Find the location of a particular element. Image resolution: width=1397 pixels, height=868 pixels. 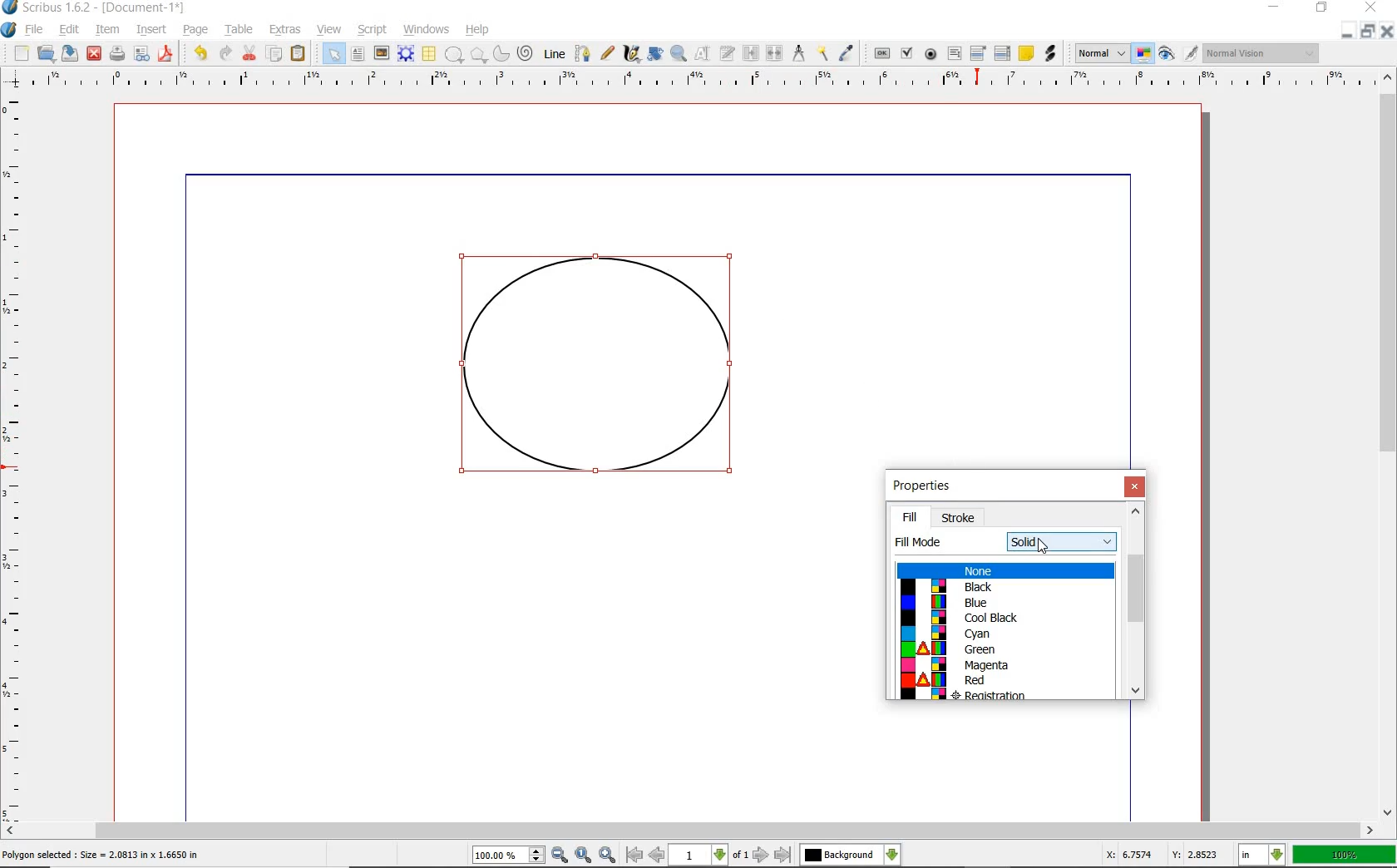

close is located at coordinates (1137, 486).